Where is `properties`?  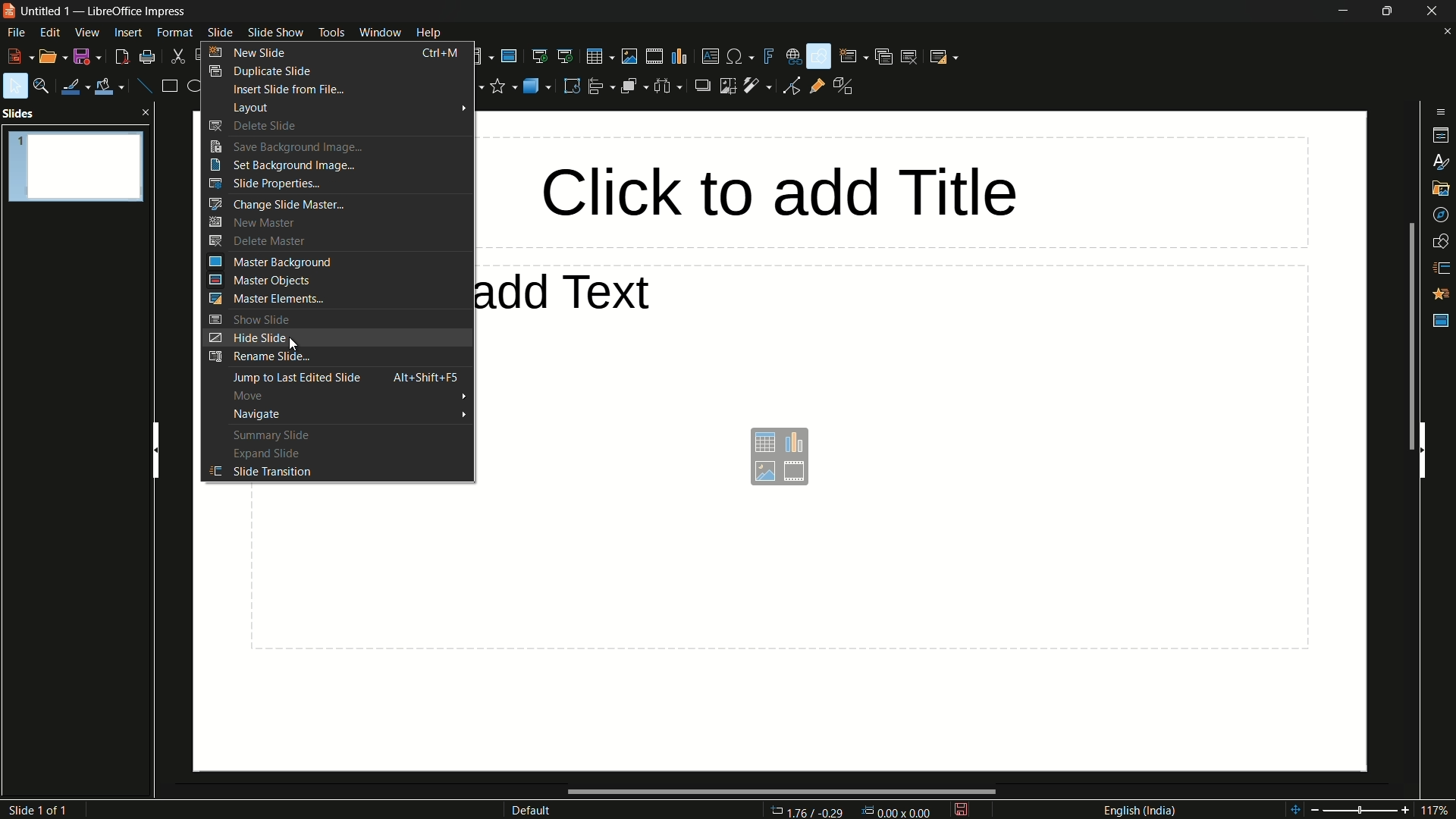 properties is located at coordinates (1439, 136).